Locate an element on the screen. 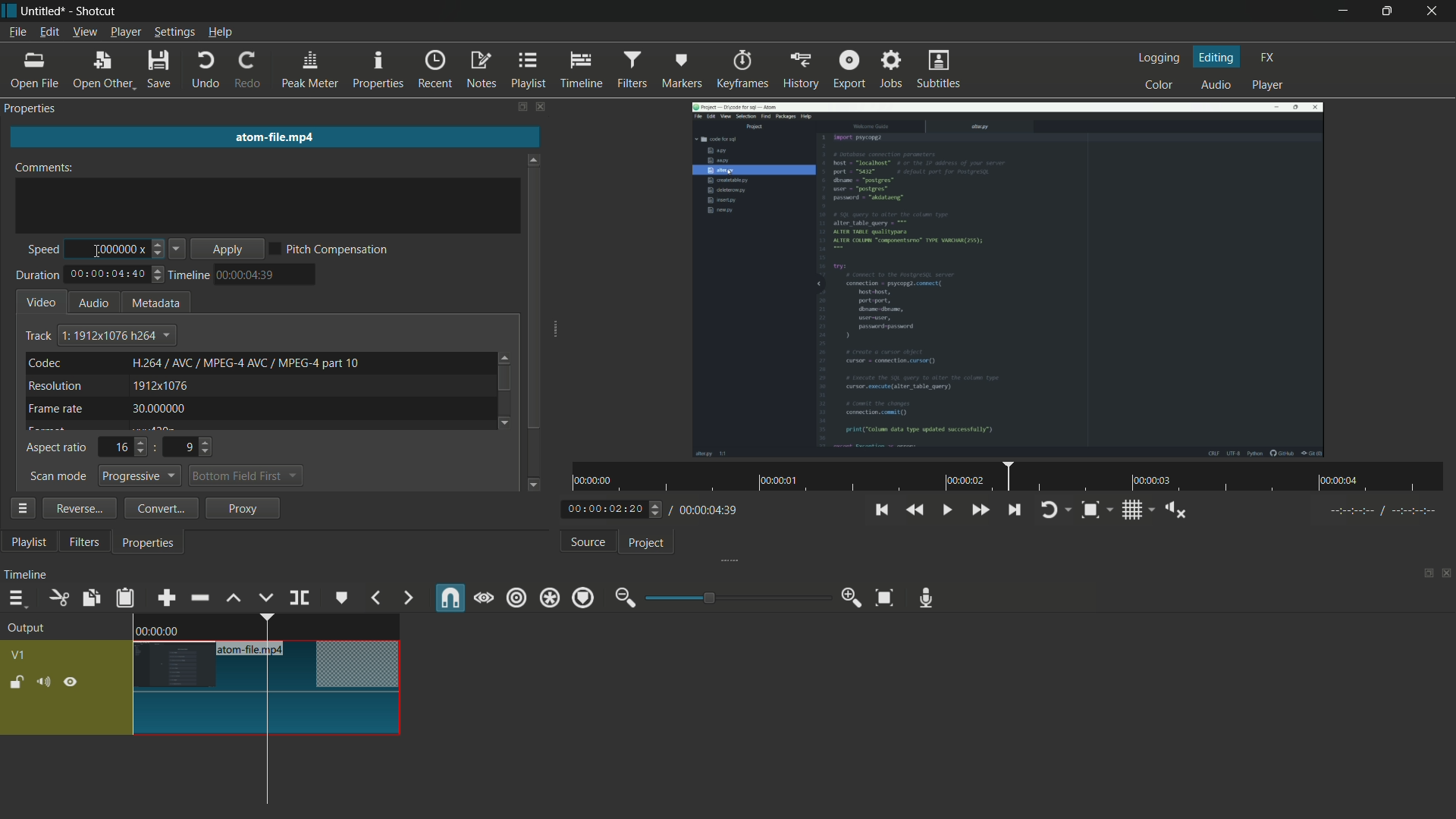  subtitles is located at coordinates (940, 68).